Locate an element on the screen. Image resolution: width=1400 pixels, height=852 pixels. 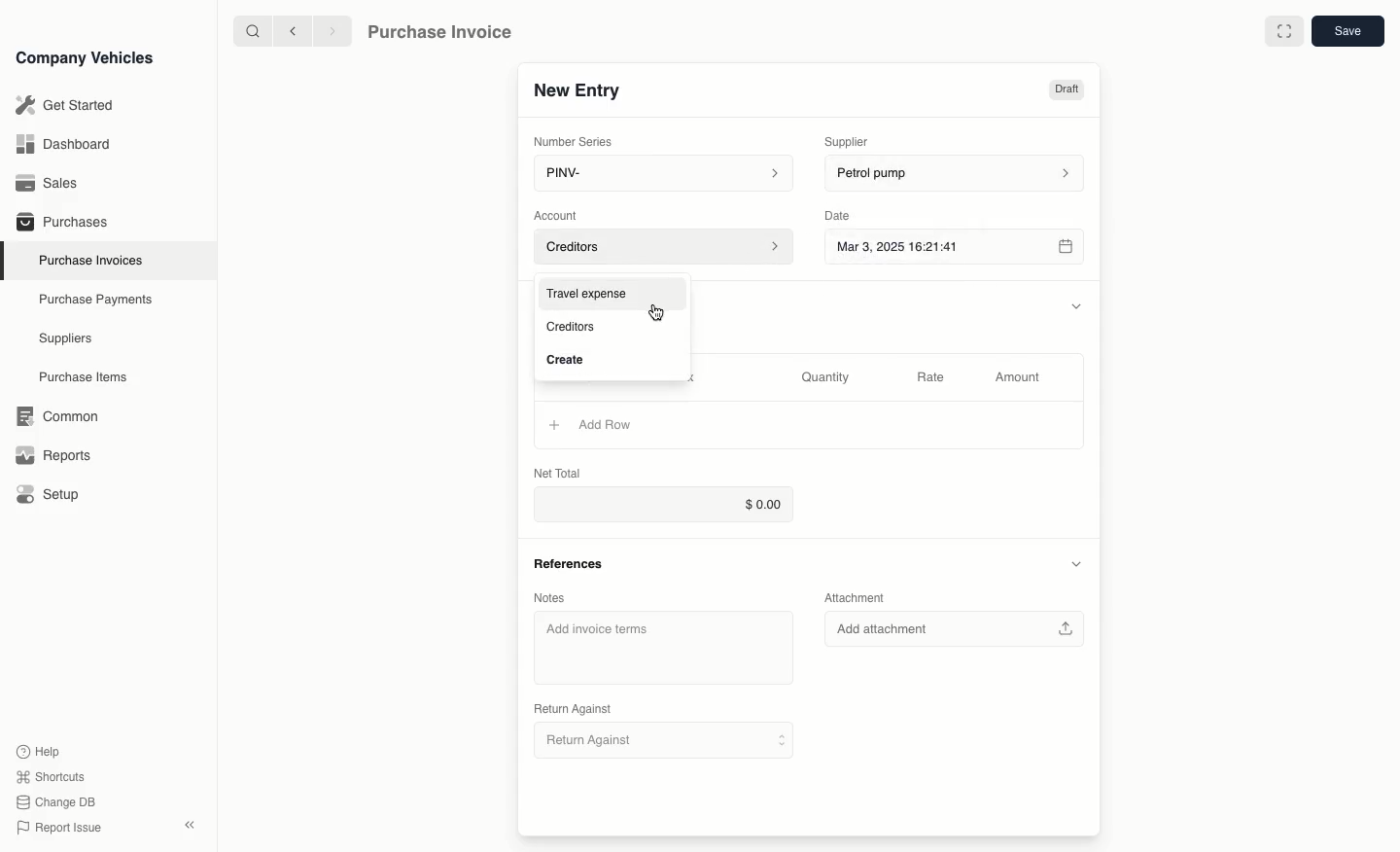
Purchase items is located at coordinates (76, 377).